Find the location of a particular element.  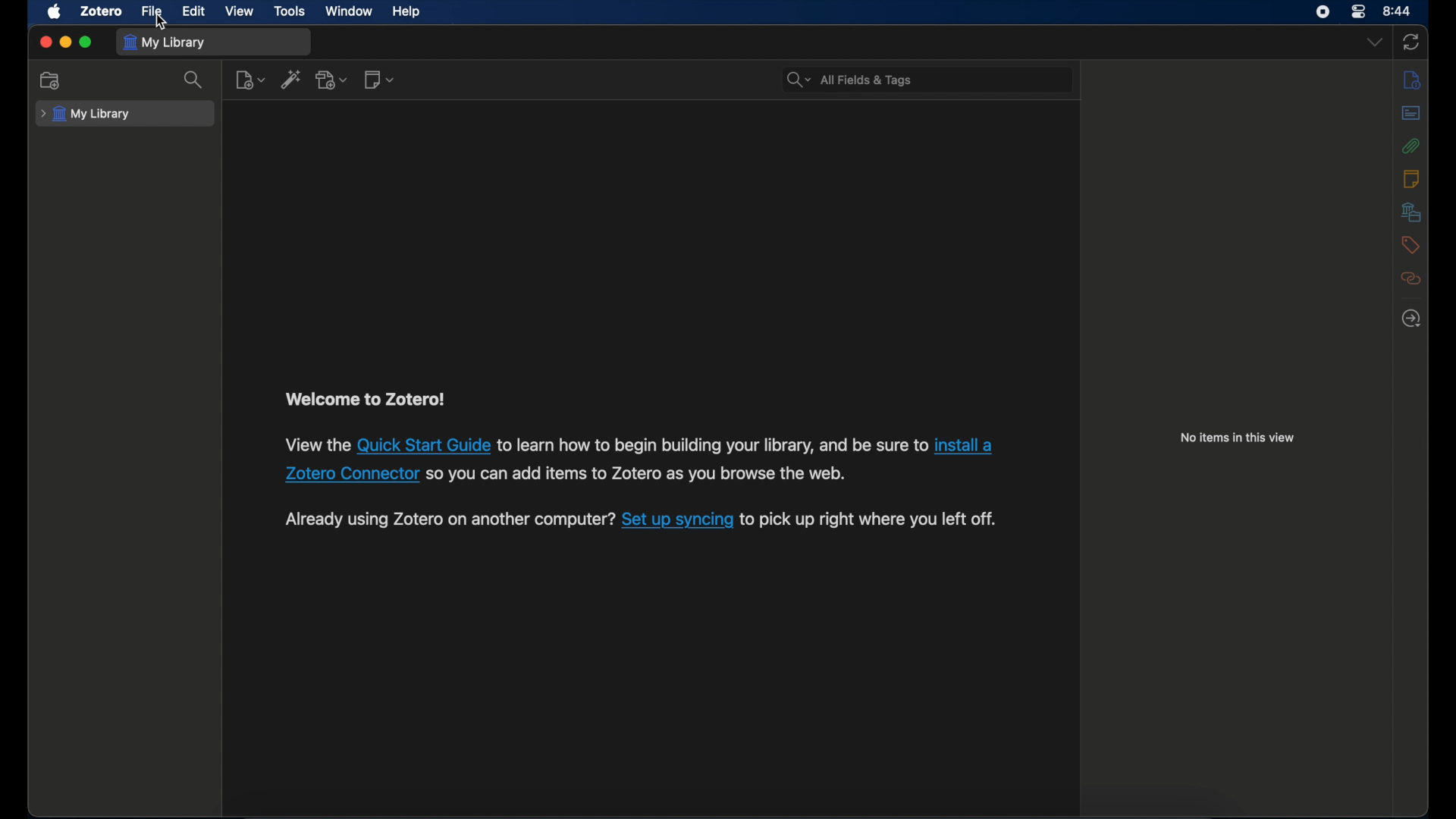

abstract is located at coordinates (1411, 114).